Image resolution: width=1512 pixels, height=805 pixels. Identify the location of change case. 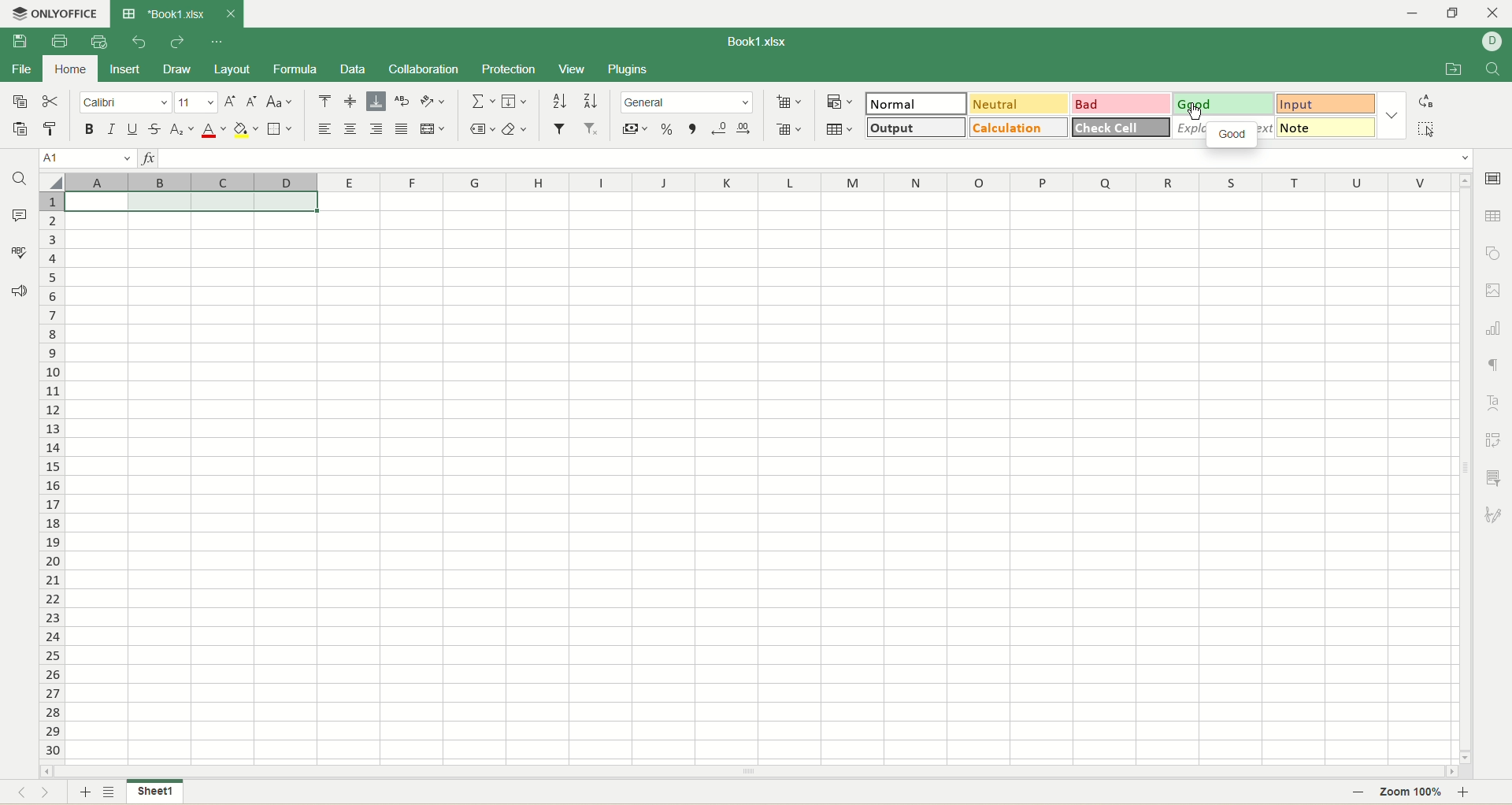
(280, 102).